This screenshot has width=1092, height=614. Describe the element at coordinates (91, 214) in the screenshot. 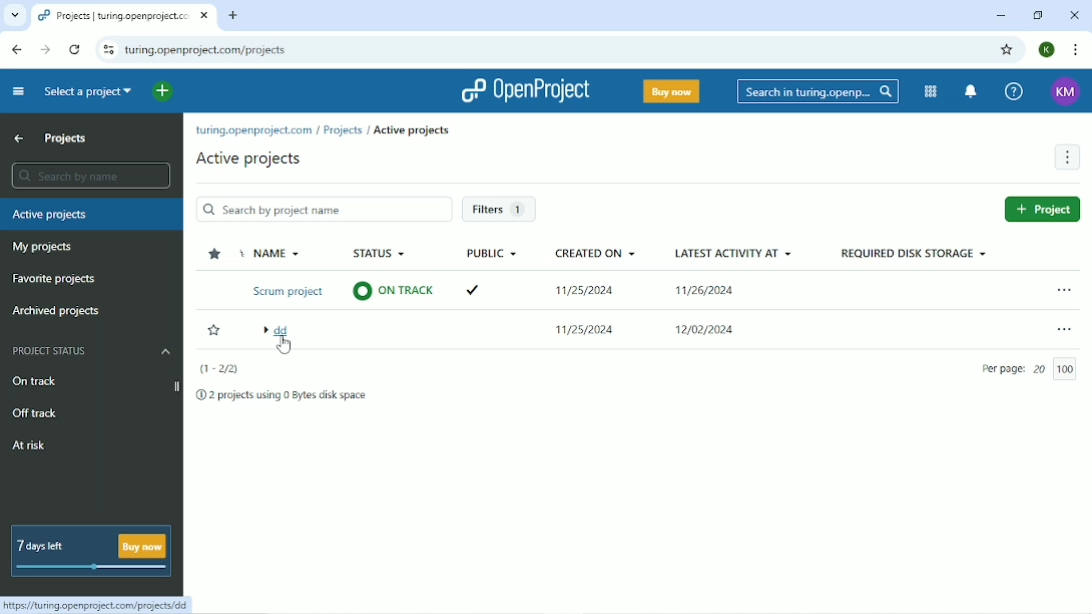

I see `Active projects` at that location.